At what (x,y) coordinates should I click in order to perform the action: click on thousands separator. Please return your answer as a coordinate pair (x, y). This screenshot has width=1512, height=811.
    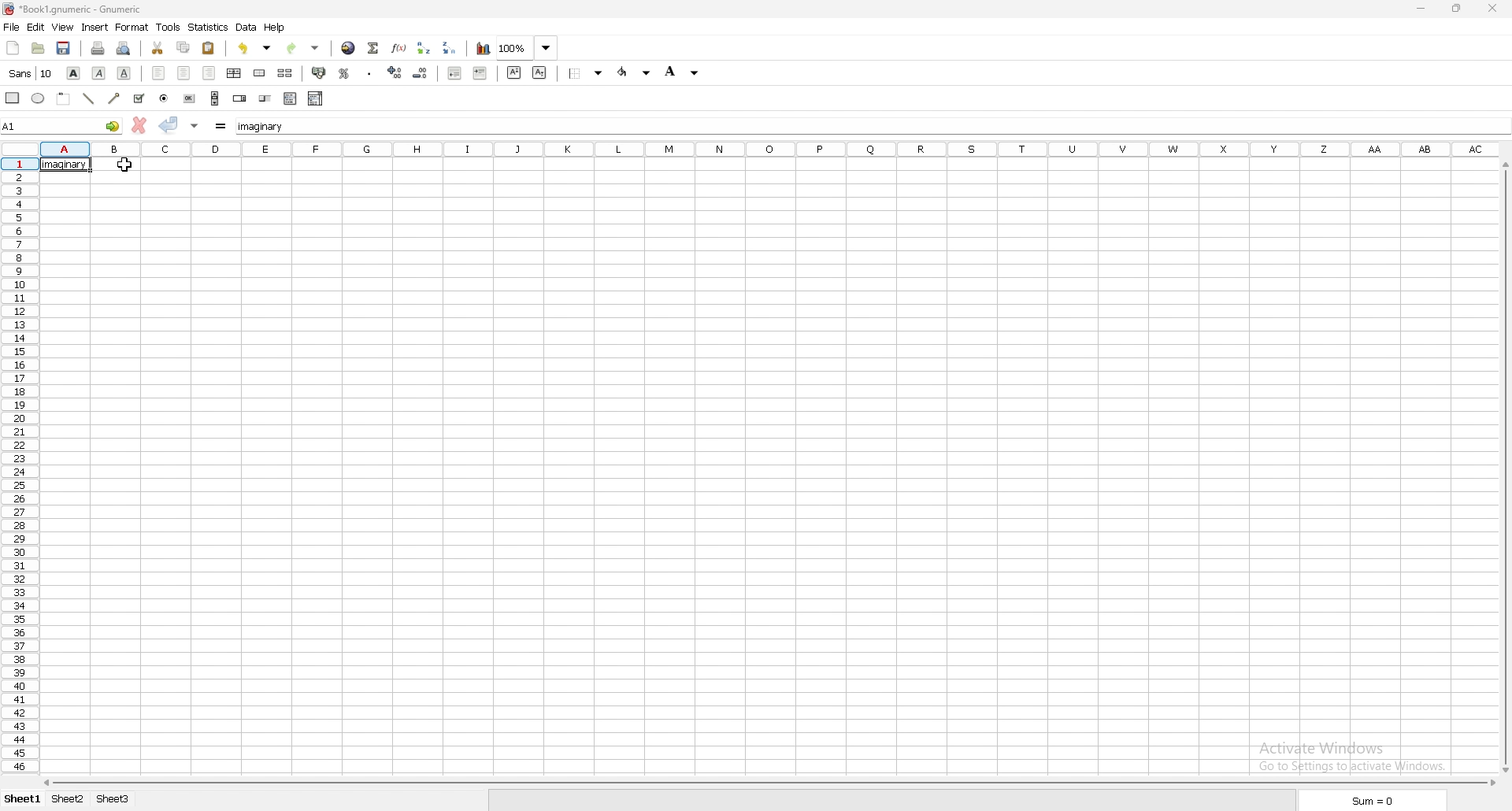
    Looking at the image, I should click on (369, 72).